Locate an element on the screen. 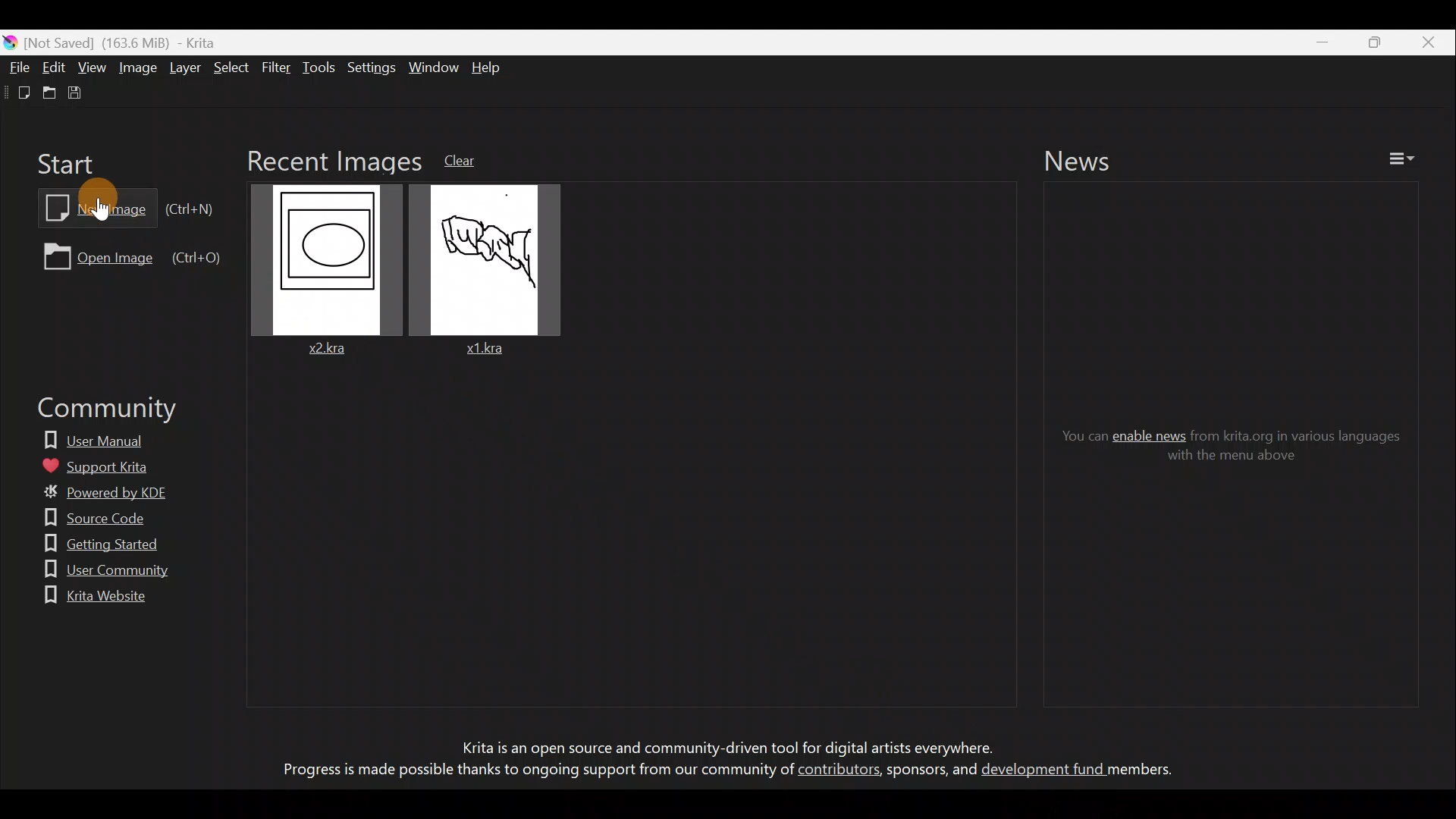  News options is located at coordinates (1407, 159).